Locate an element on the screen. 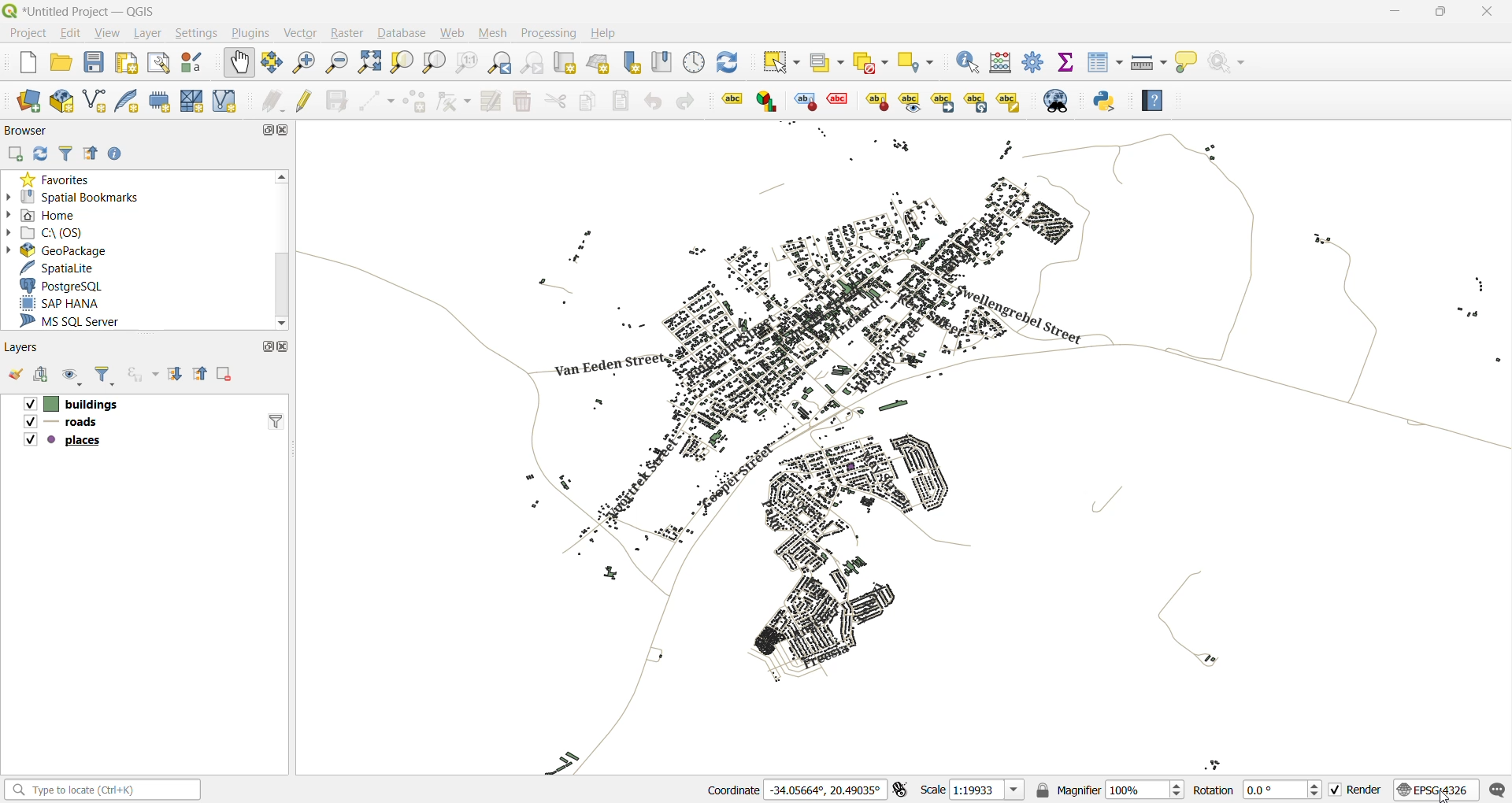 The image size is (1512, 803). places is located at coordinates (65, 441).